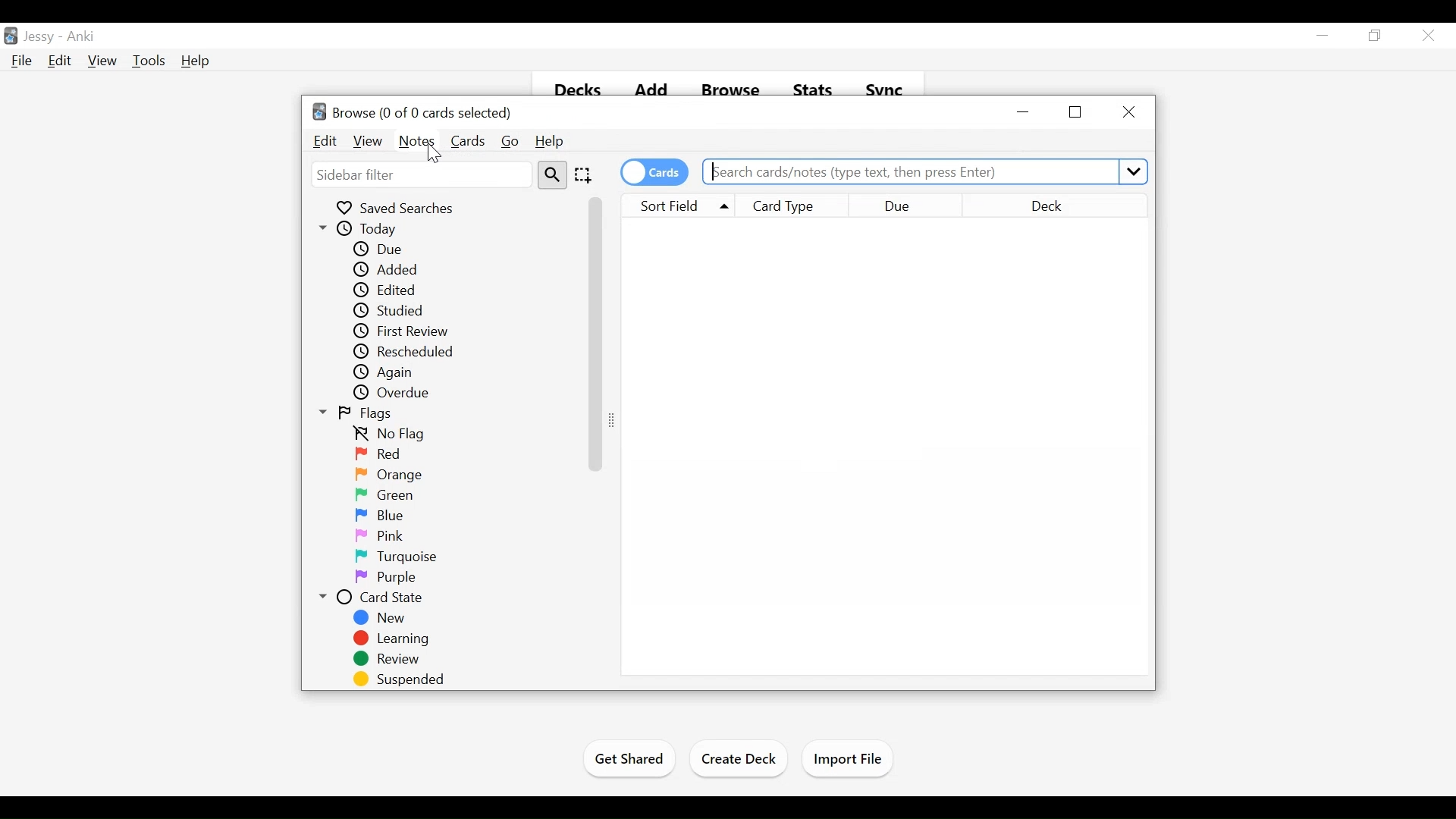 The height and width of the screenshot is (819, 1456). I want to click on Anki Desktop Icon, so click(11, 36).